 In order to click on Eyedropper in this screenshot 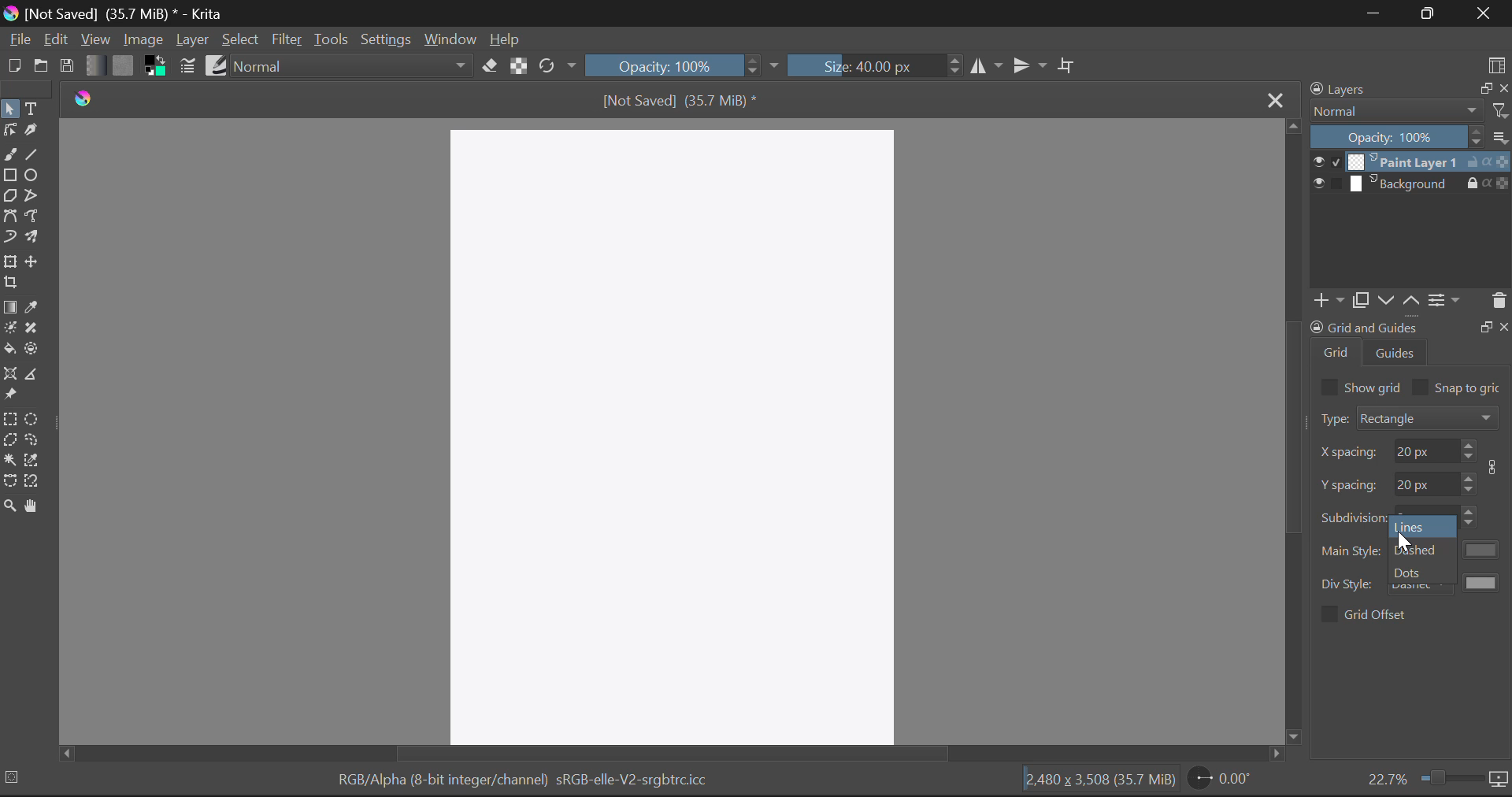, I will do `click(32, 309)`.